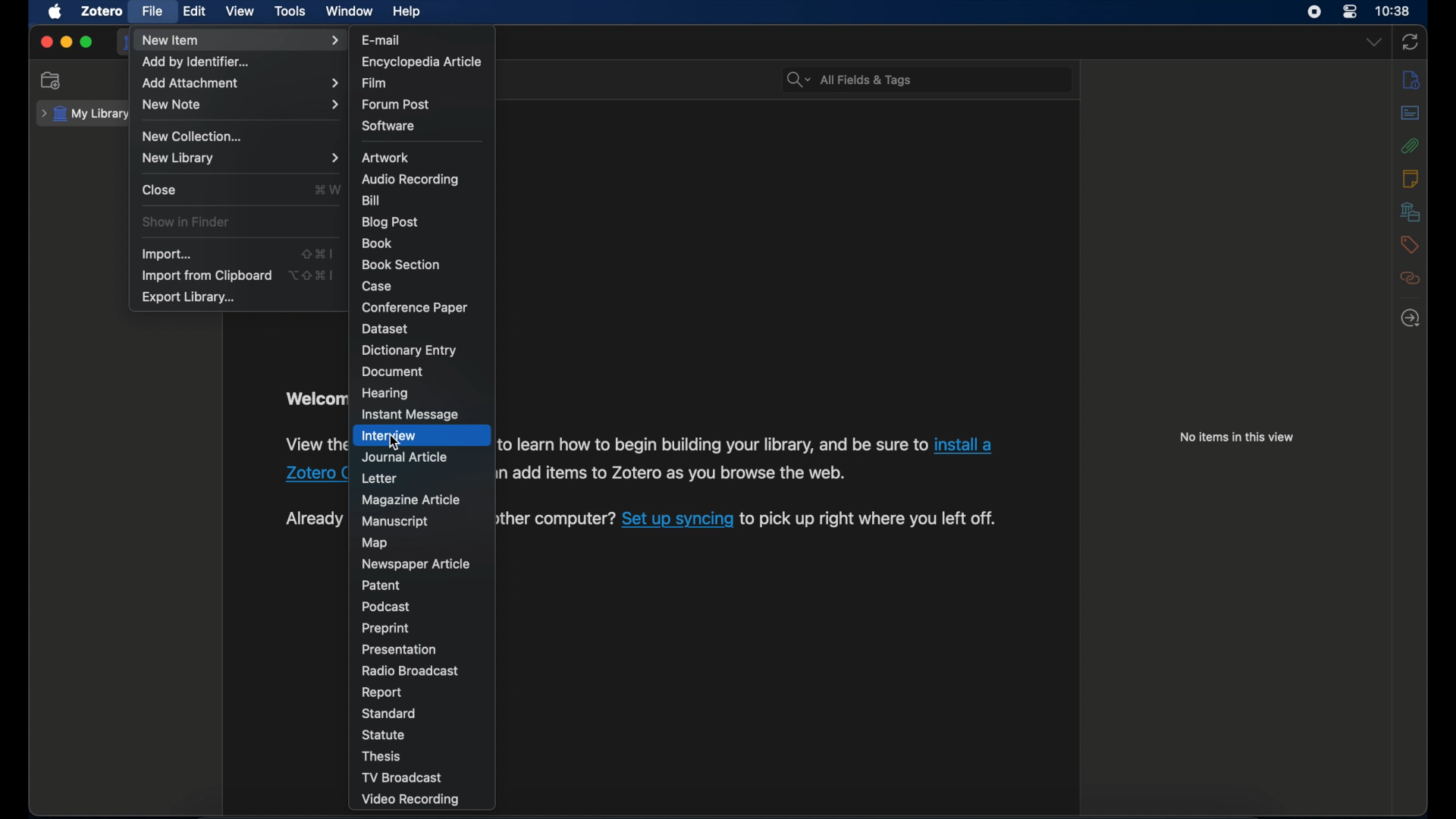 The width and height of the screenshot is (1456, 819). What do you see at coordinates (1410, 146) in the screenshot?
I see `attachments` at bounding box center [1410, 146].